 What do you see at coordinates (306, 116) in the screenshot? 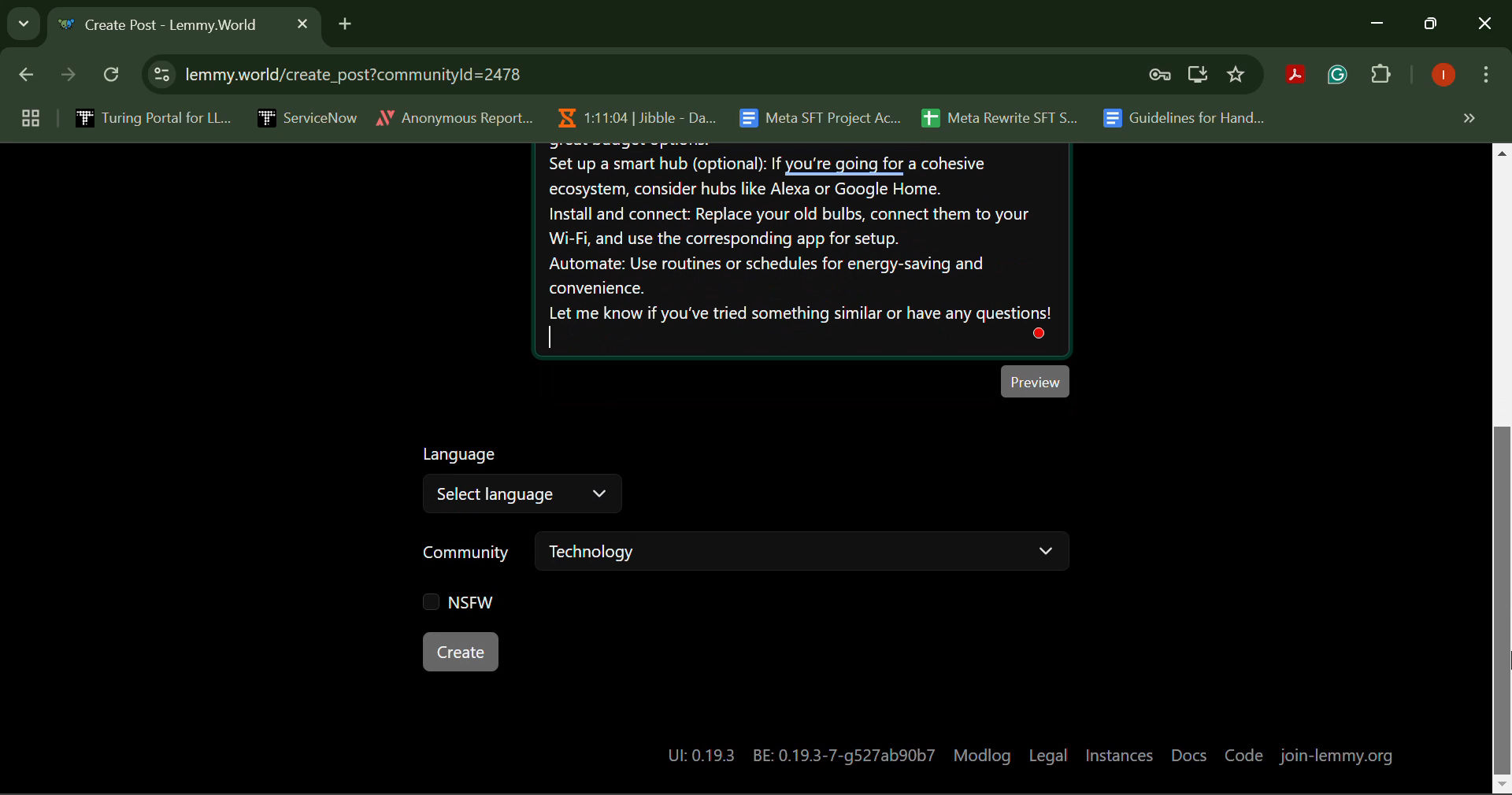
I see `ServiceNow` at bounding box center [306, 116].